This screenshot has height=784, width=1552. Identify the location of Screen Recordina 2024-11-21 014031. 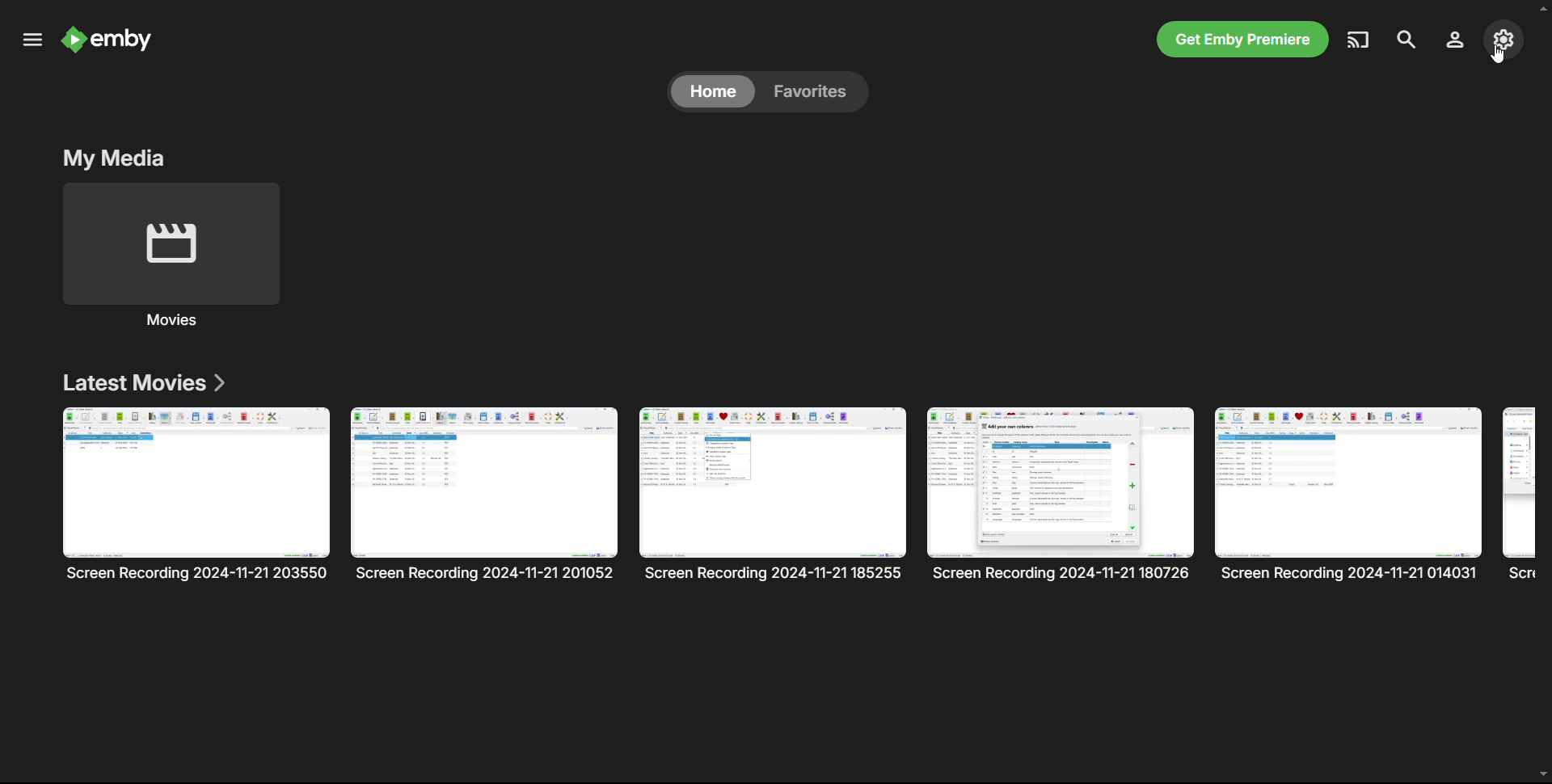
(1347, 492).